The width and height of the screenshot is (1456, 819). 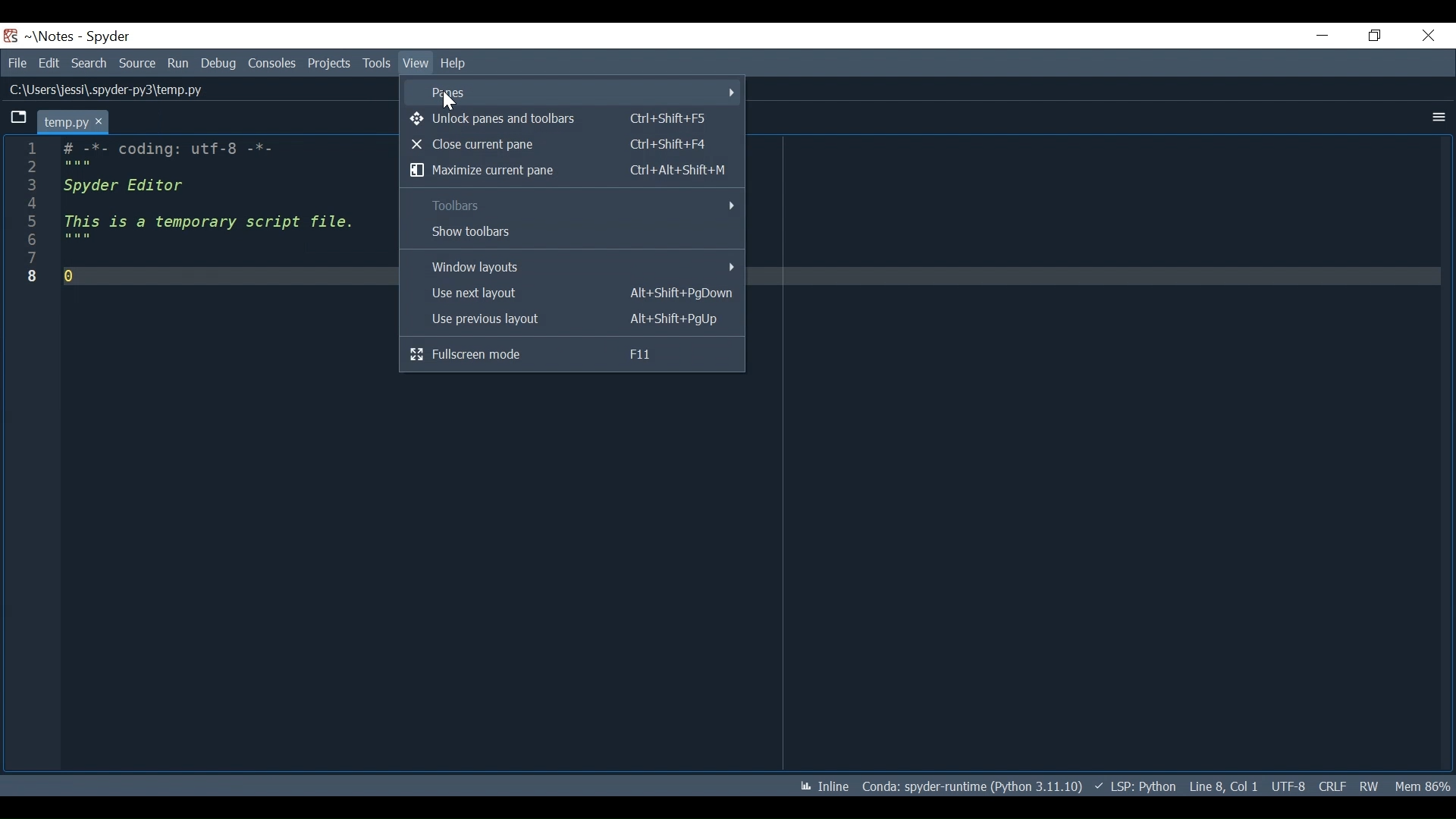 What do you see at coordinates (10, 36) in the screenshot?
I see `Spyder Desktop Icon` at bounding box center [10, 36].